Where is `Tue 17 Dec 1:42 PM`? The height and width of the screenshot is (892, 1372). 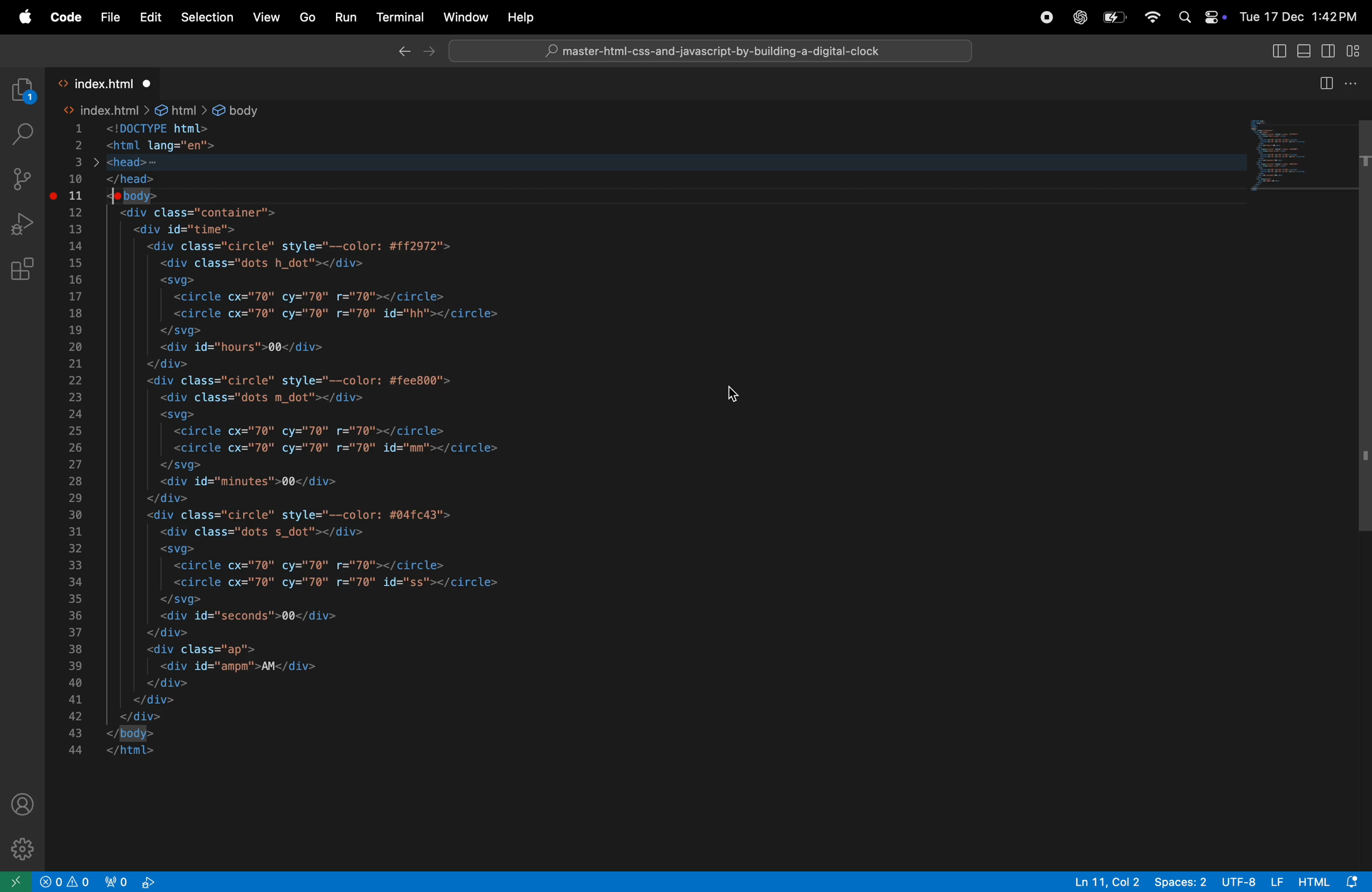 Tue 17 Dec 1:42 PM is located at coordinates (1299, 17).